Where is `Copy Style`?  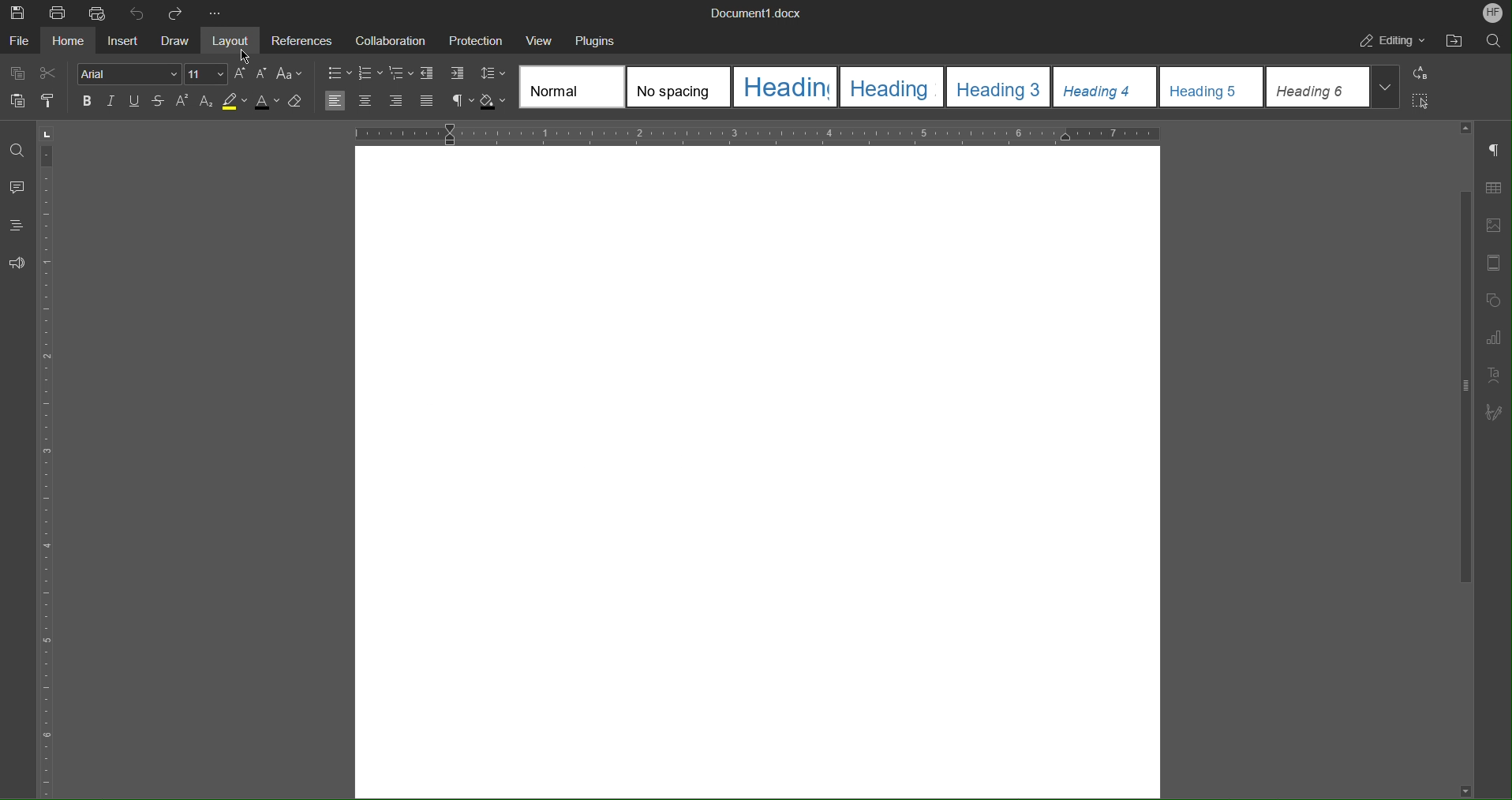 Copy Style is located at coordinates (50, 101).